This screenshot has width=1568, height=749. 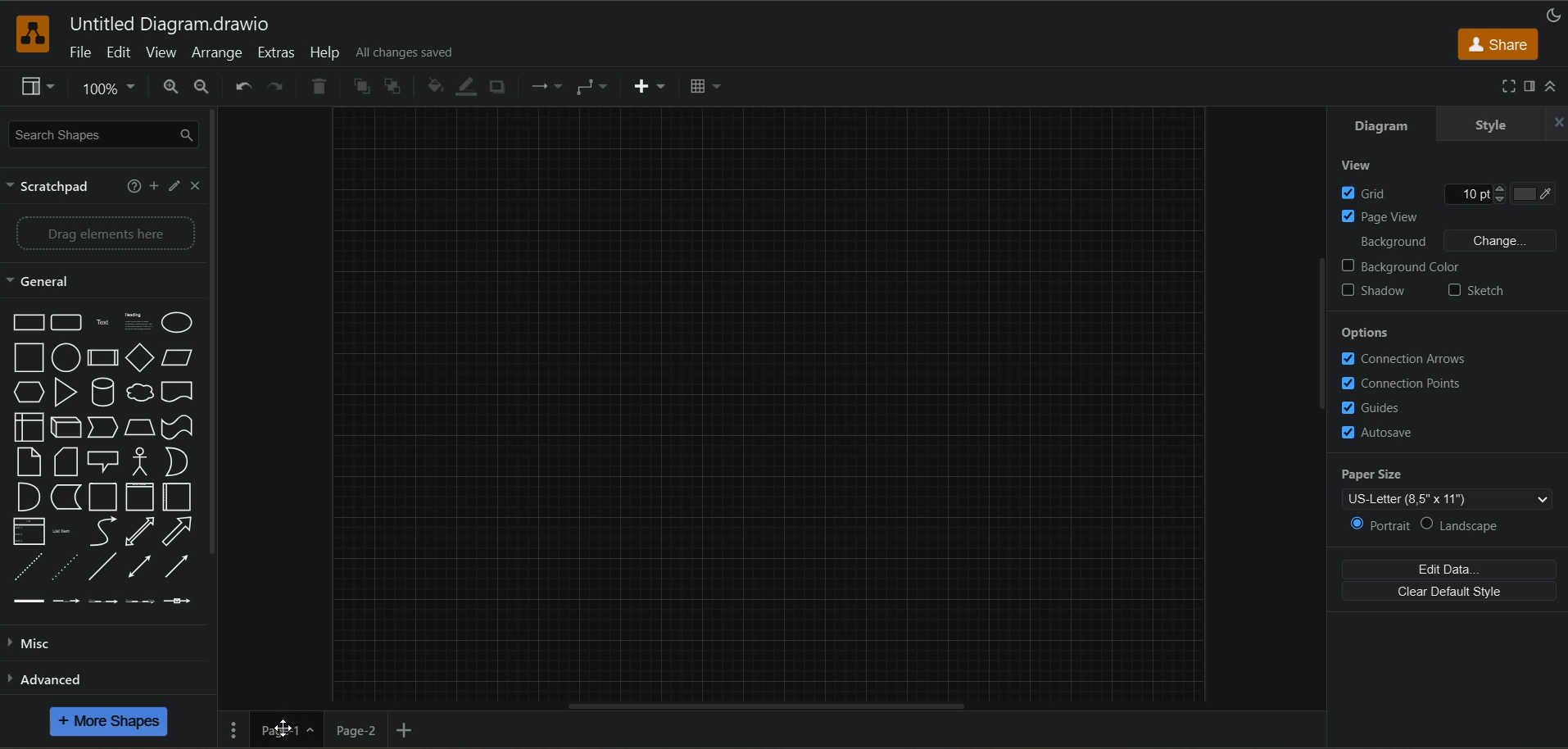 I want to click on vertical scroll bar, so click(x=1323, y=337).